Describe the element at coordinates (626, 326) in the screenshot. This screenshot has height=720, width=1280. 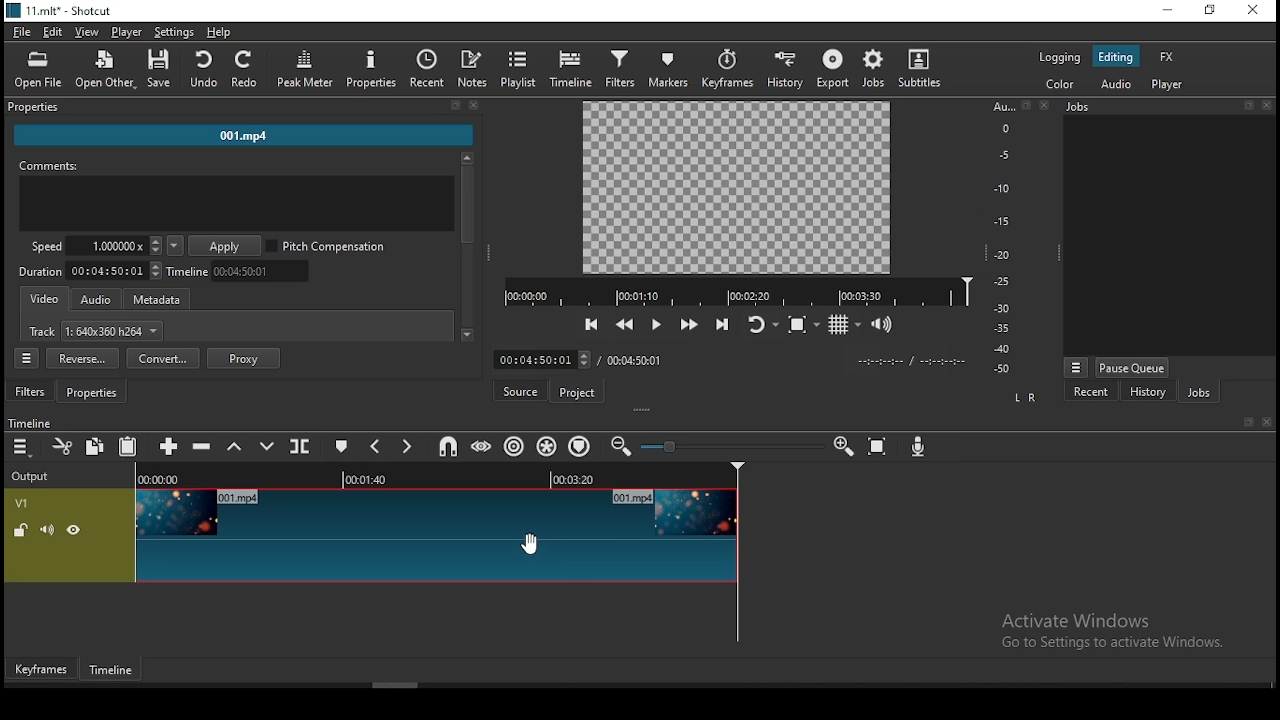
I see `play quickly backwards` at that location.